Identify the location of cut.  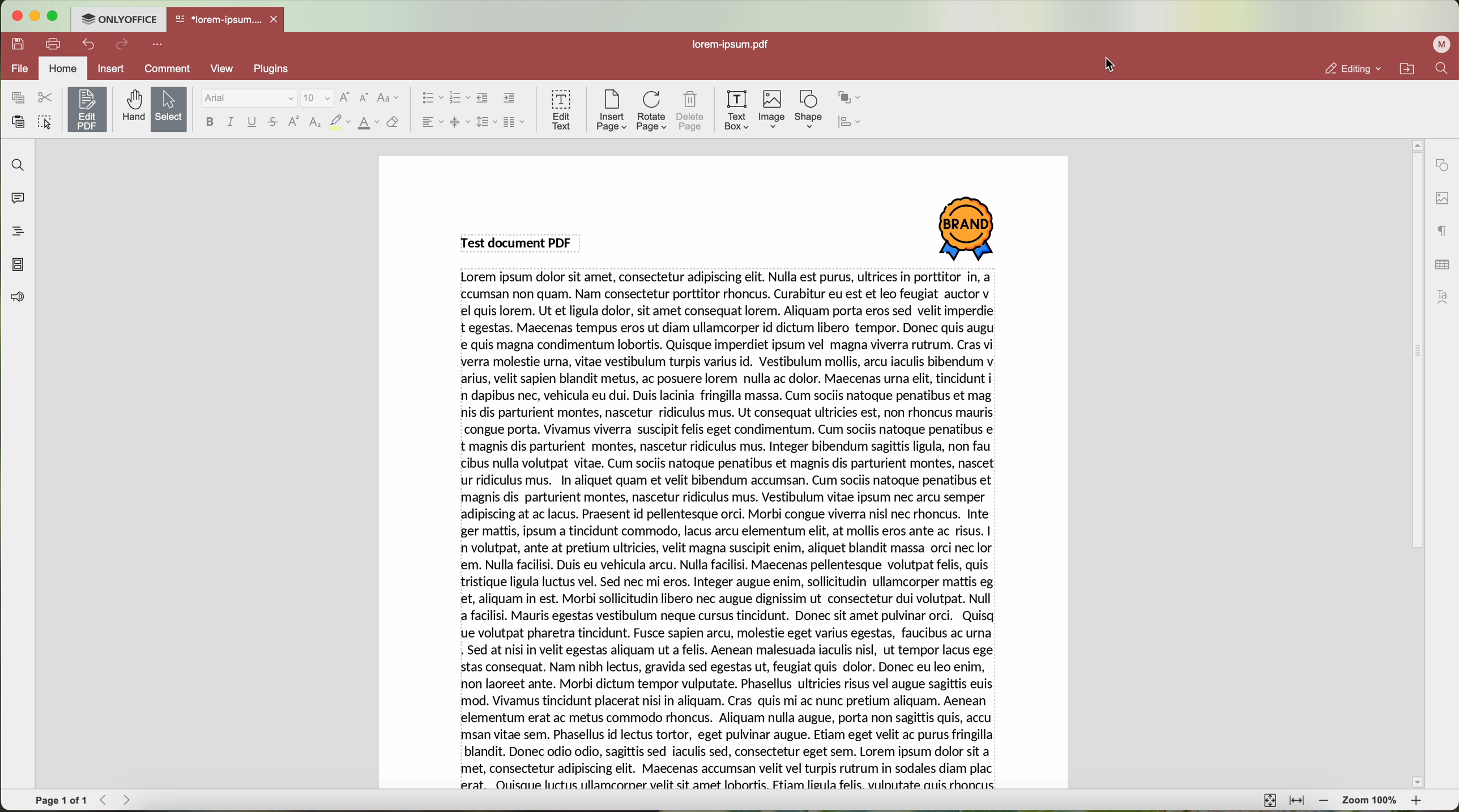
(45, 98).